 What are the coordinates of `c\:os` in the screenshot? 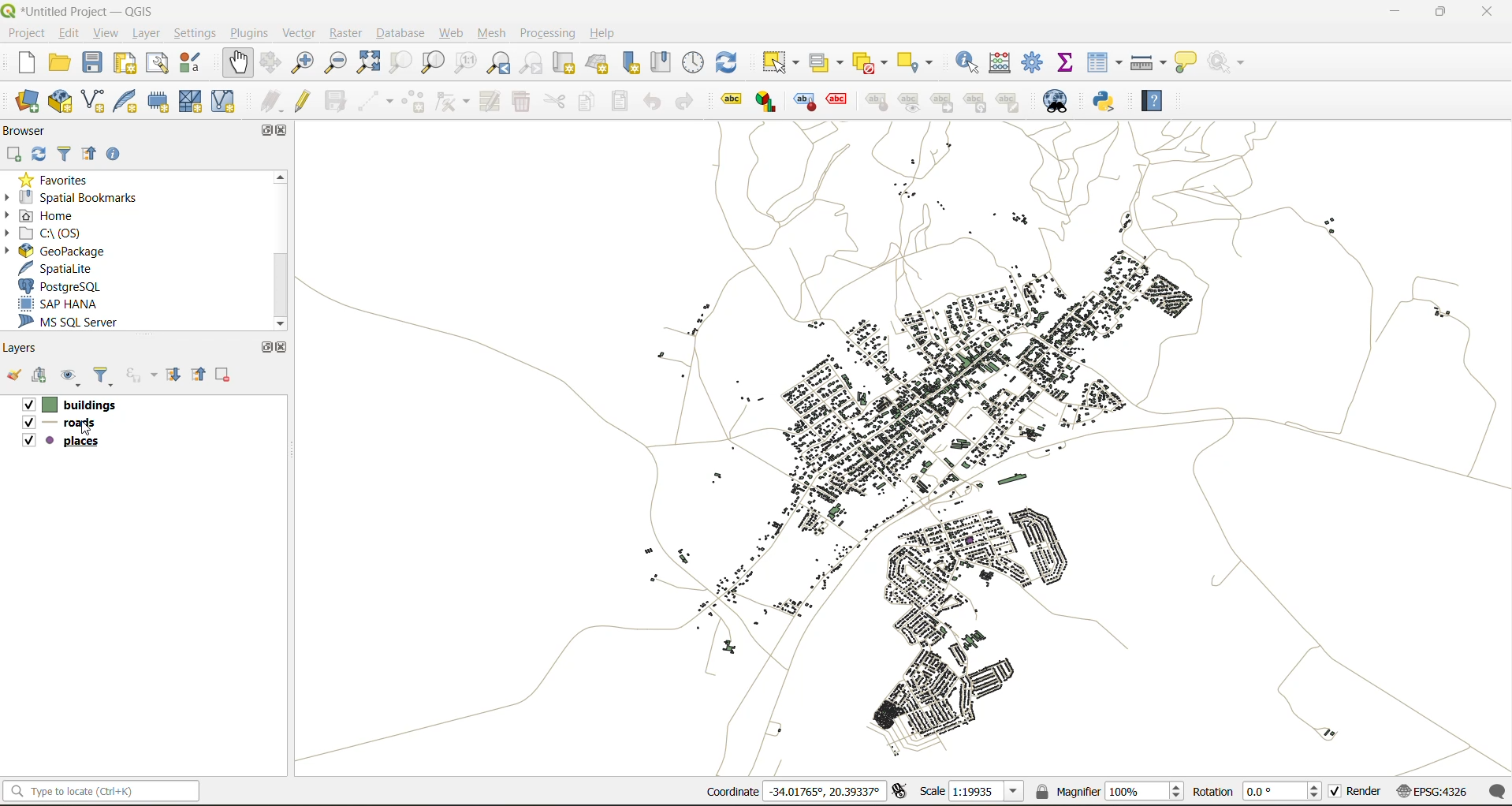 It's located at (52, 234).